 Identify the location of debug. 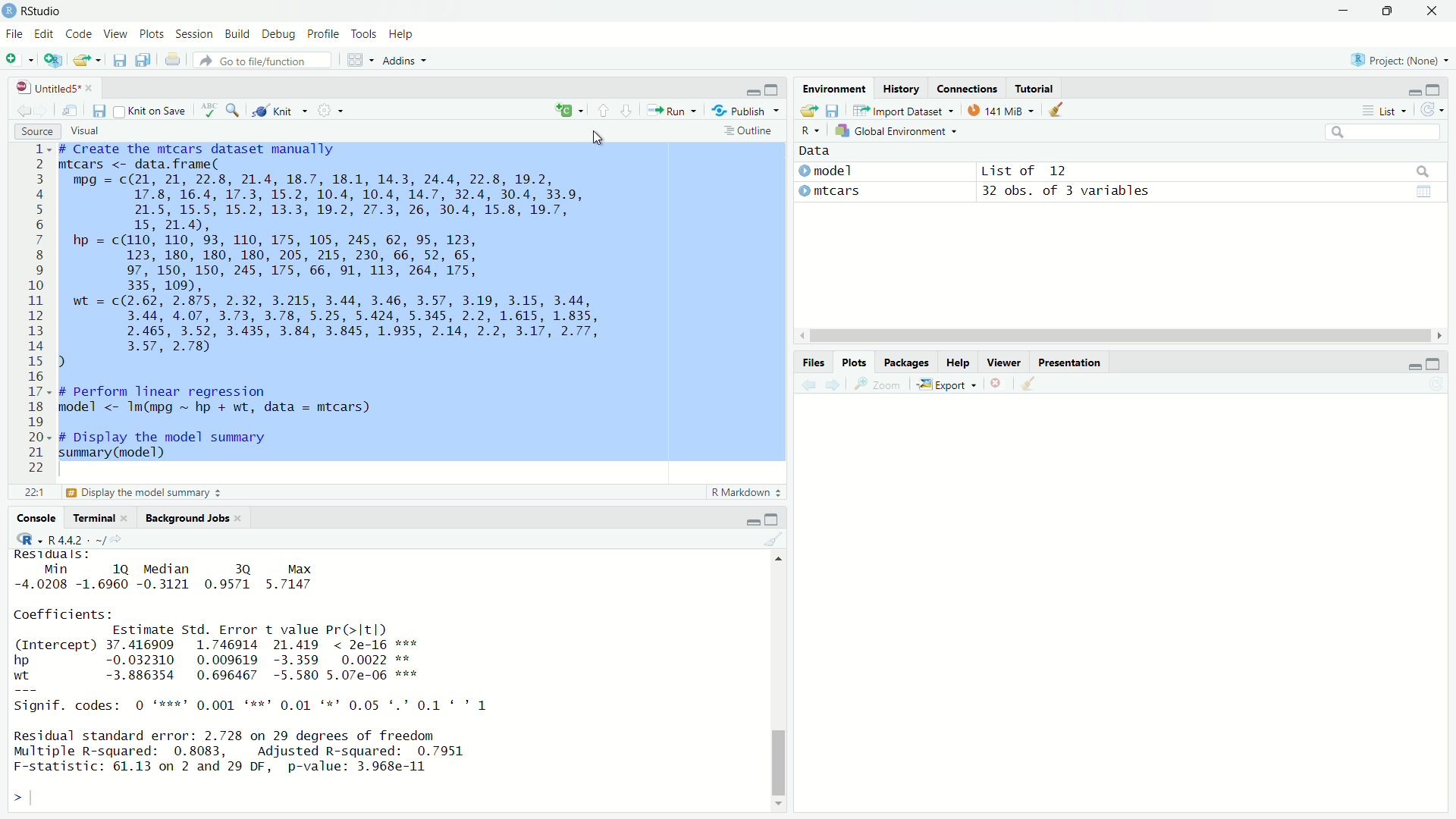
(280, 34).